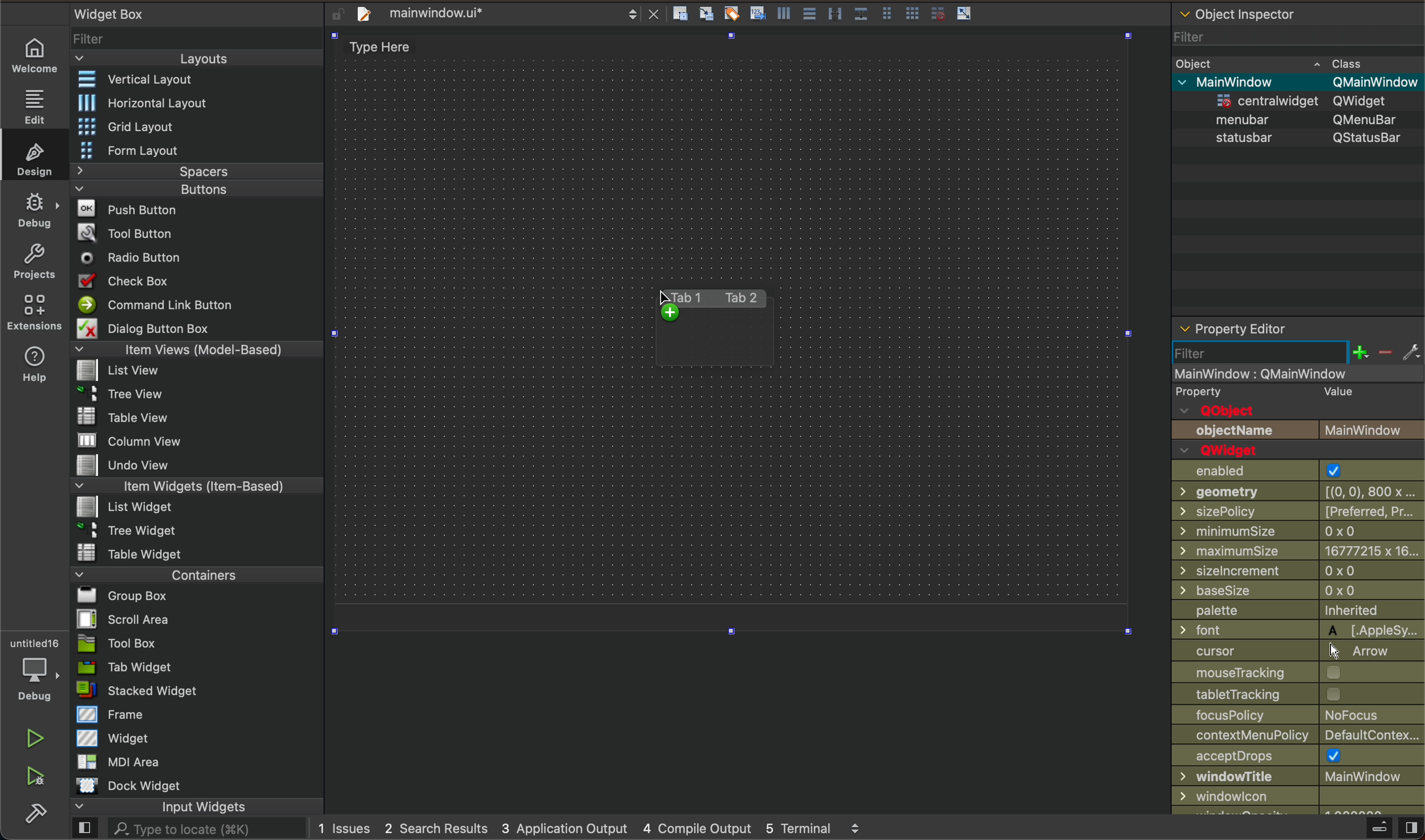  Describe the element at coordinates (1301, 796) in the screenshot. I see `` at that location.